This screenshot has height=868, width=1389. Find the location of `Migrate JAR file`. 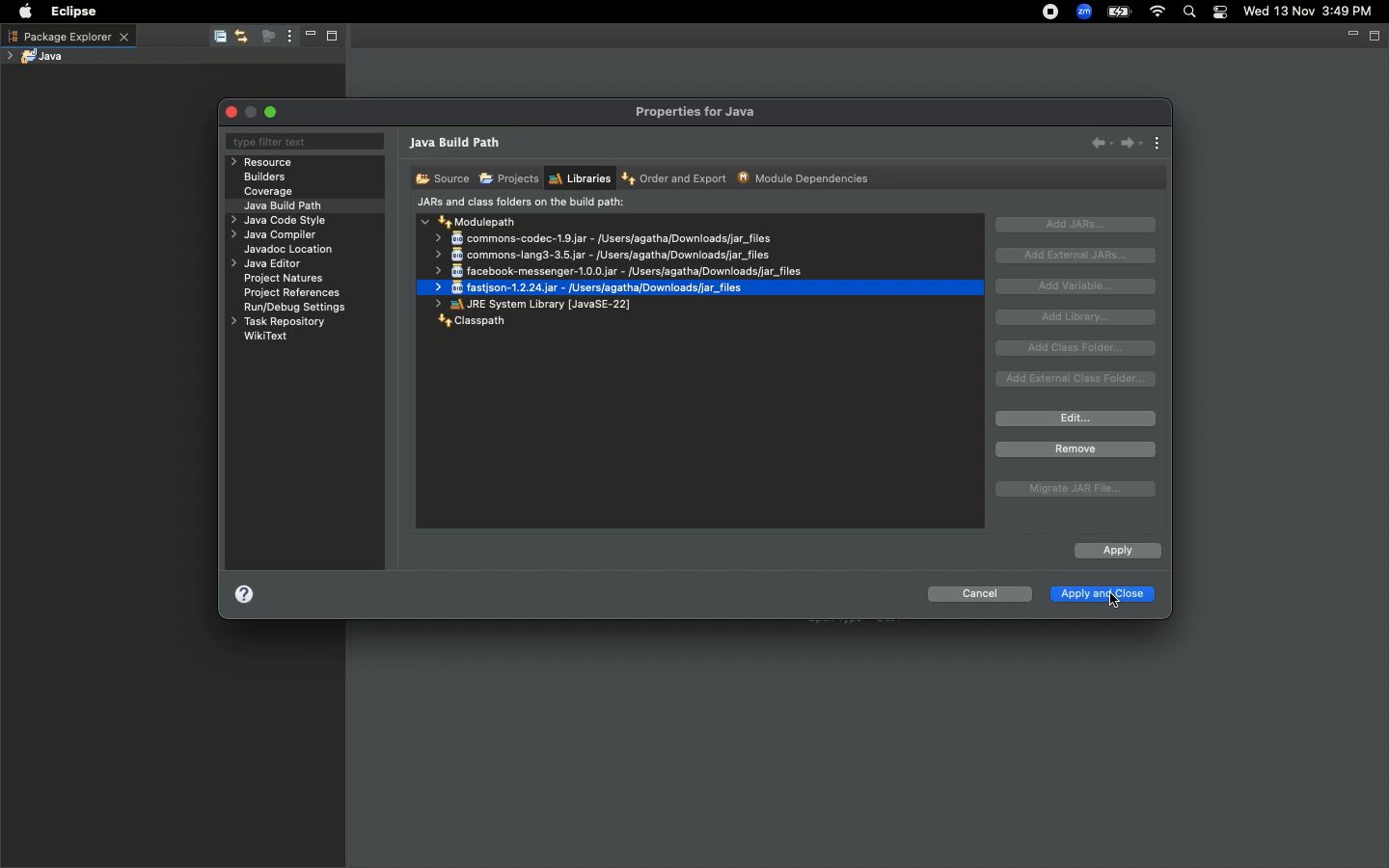

Migrate JAR file is located at coordinates (1073, 490).